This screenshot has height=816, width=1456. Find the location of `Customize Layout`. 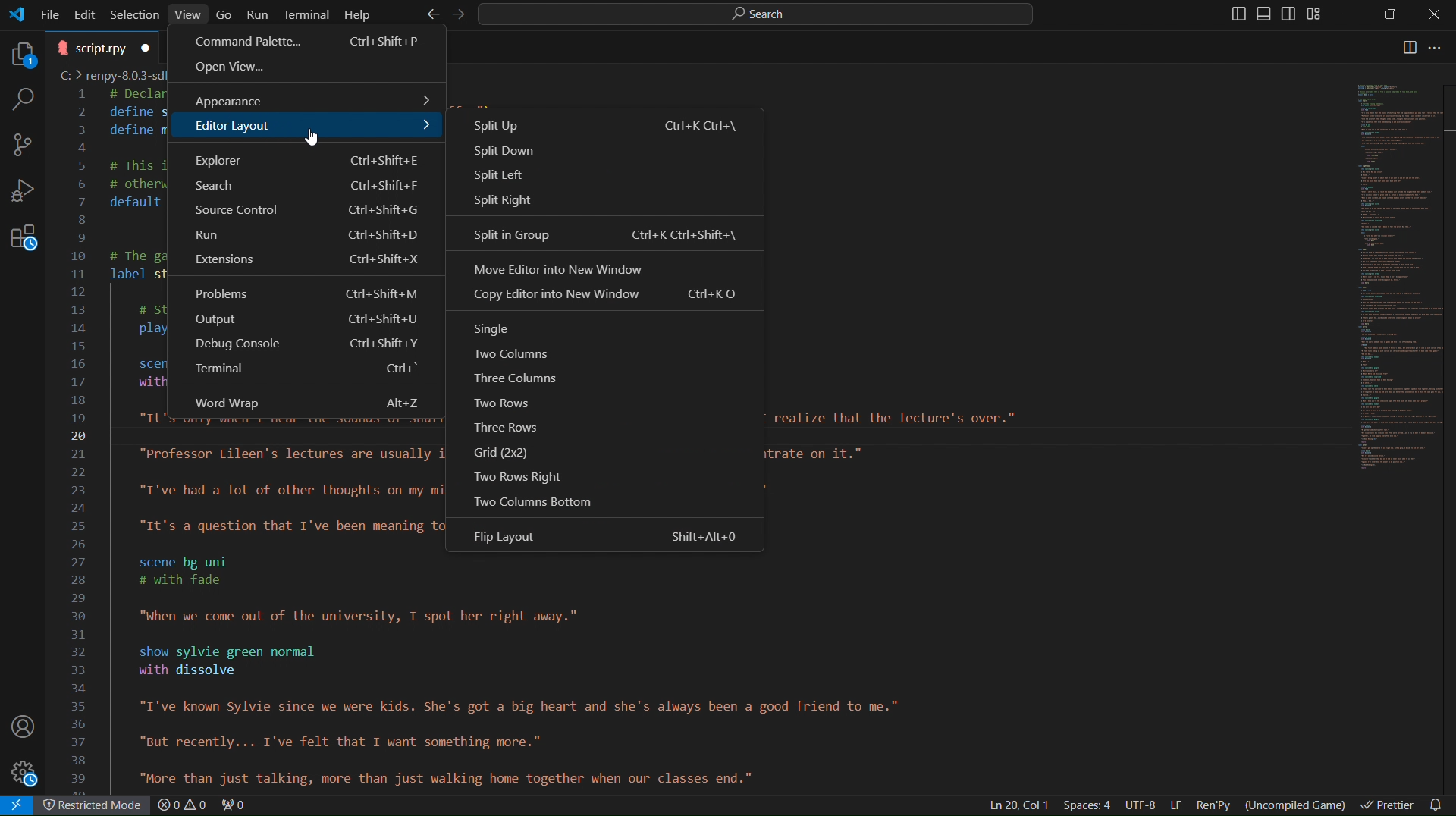

Customize Layout is located at coordinates (1319, 16).